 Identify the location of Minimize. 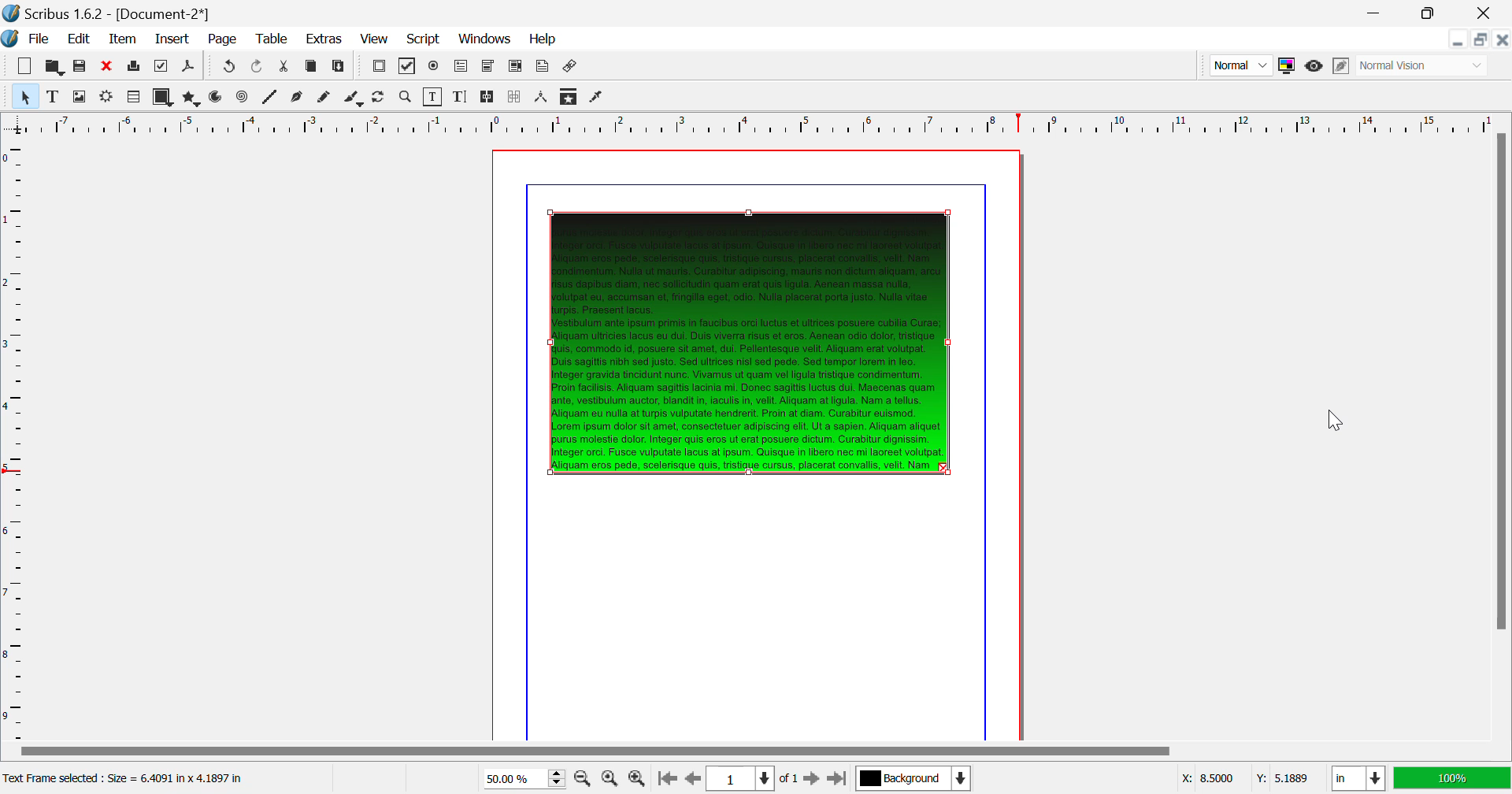
(1432, 13).